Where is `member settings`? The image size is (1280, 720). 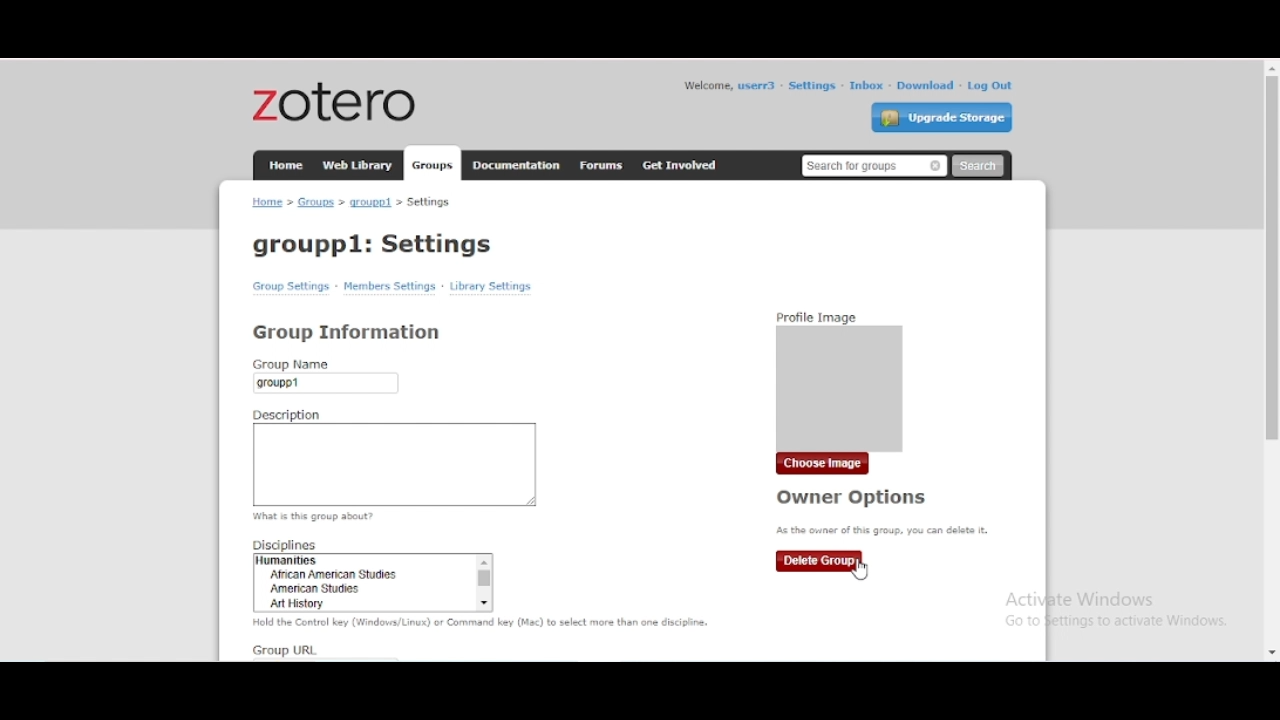
member settings is located at coordinates (389, 287).